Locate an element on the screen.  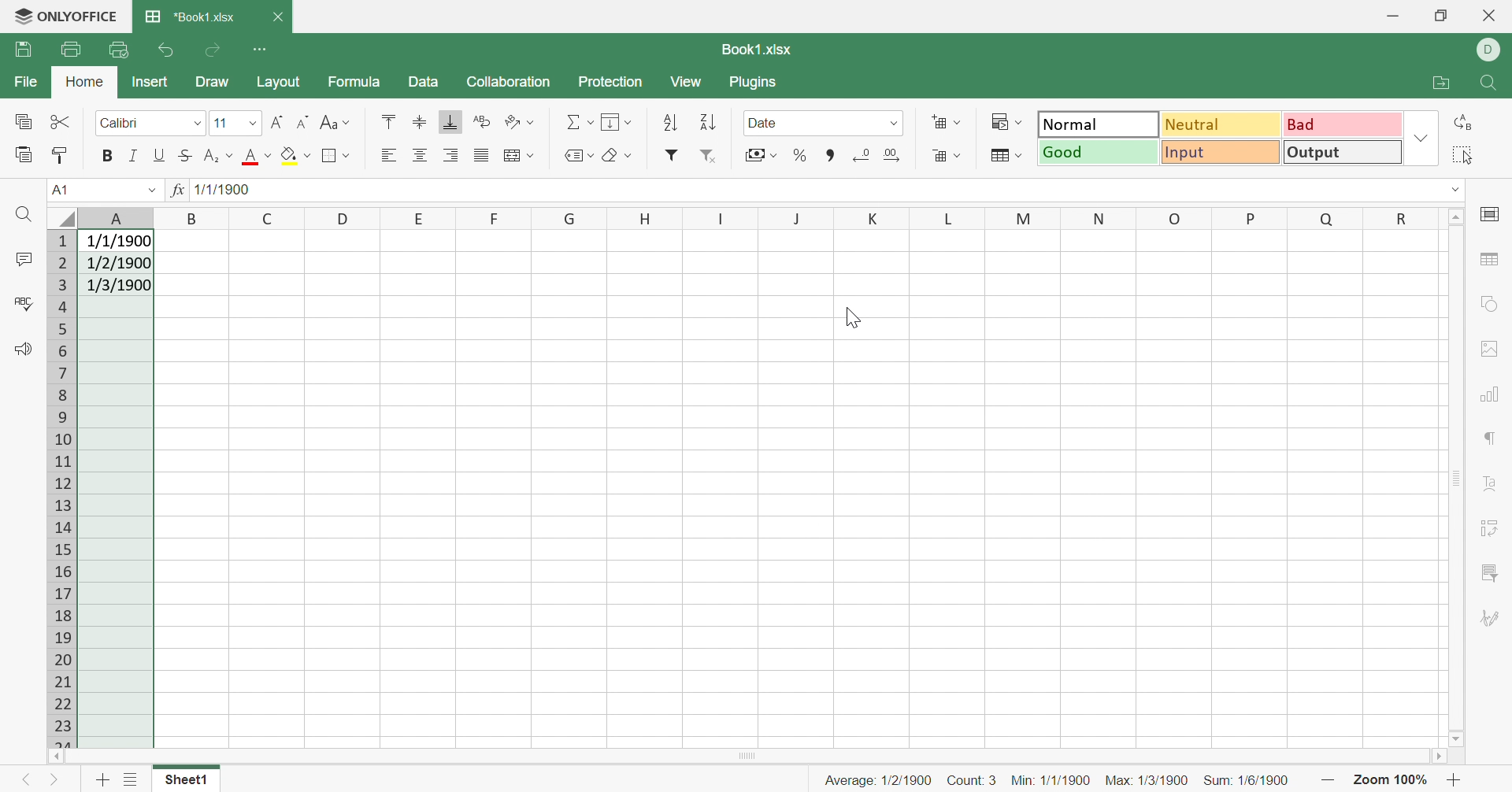
Cell settings is located at coordinates (1492, 213).